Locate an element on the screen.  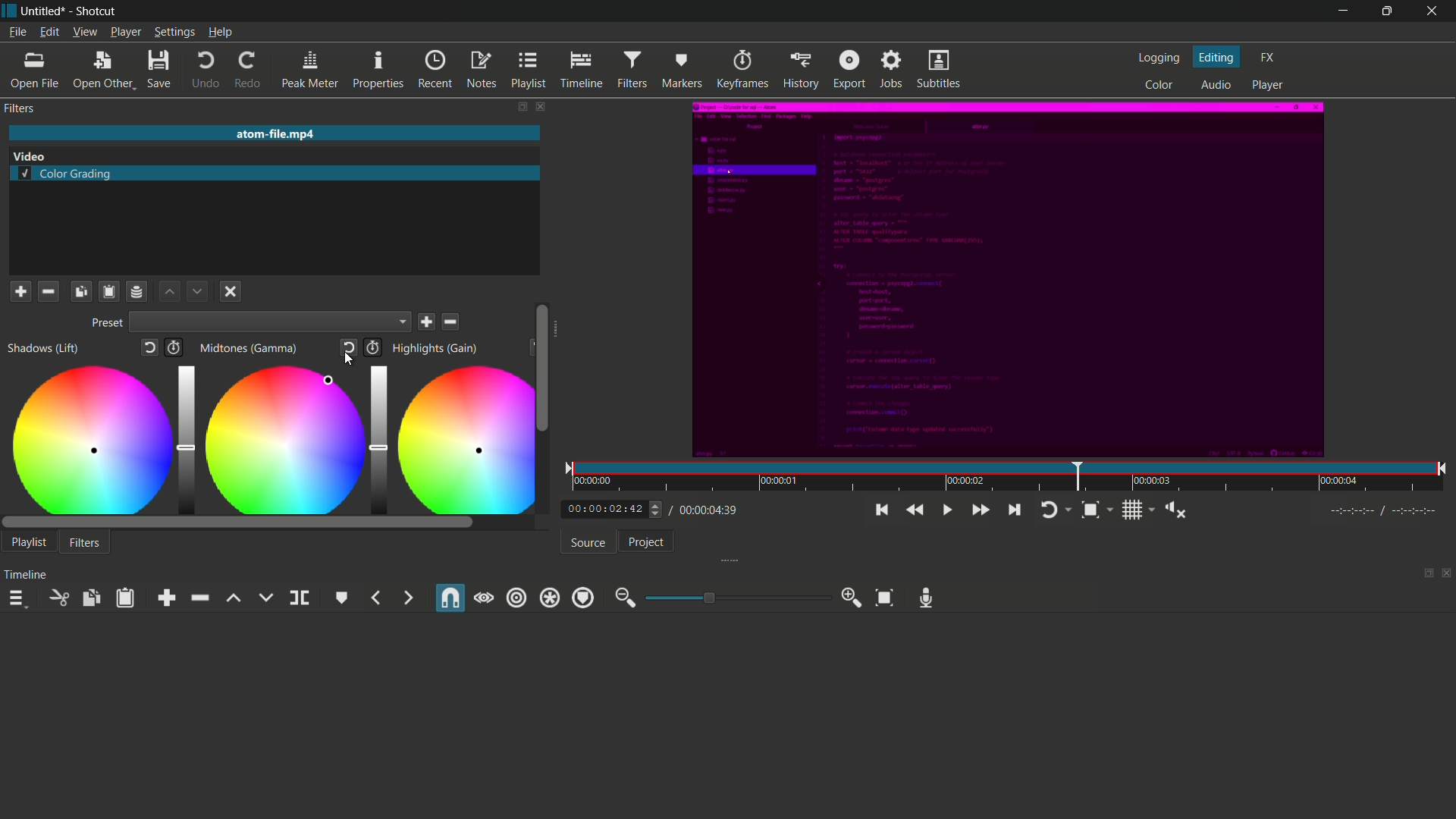
logging is located at coordinates (1159, 60).